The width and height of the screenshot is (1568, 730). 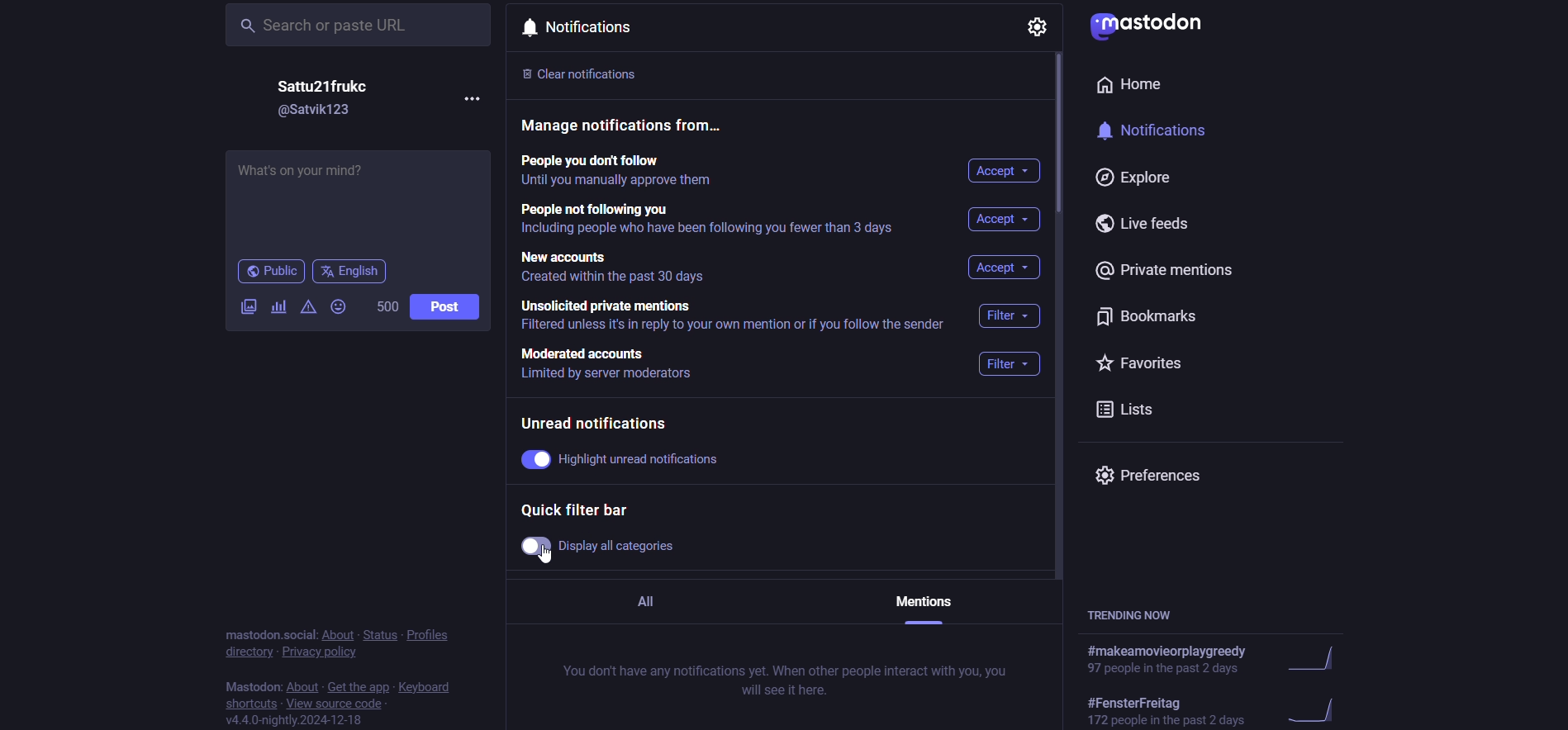 What do you see at coordinates (782, 680) in the screenshot?
I see `You don't have any notifications yet. When other people interact with you, you will see it here.` at bounding box center [782, 680].